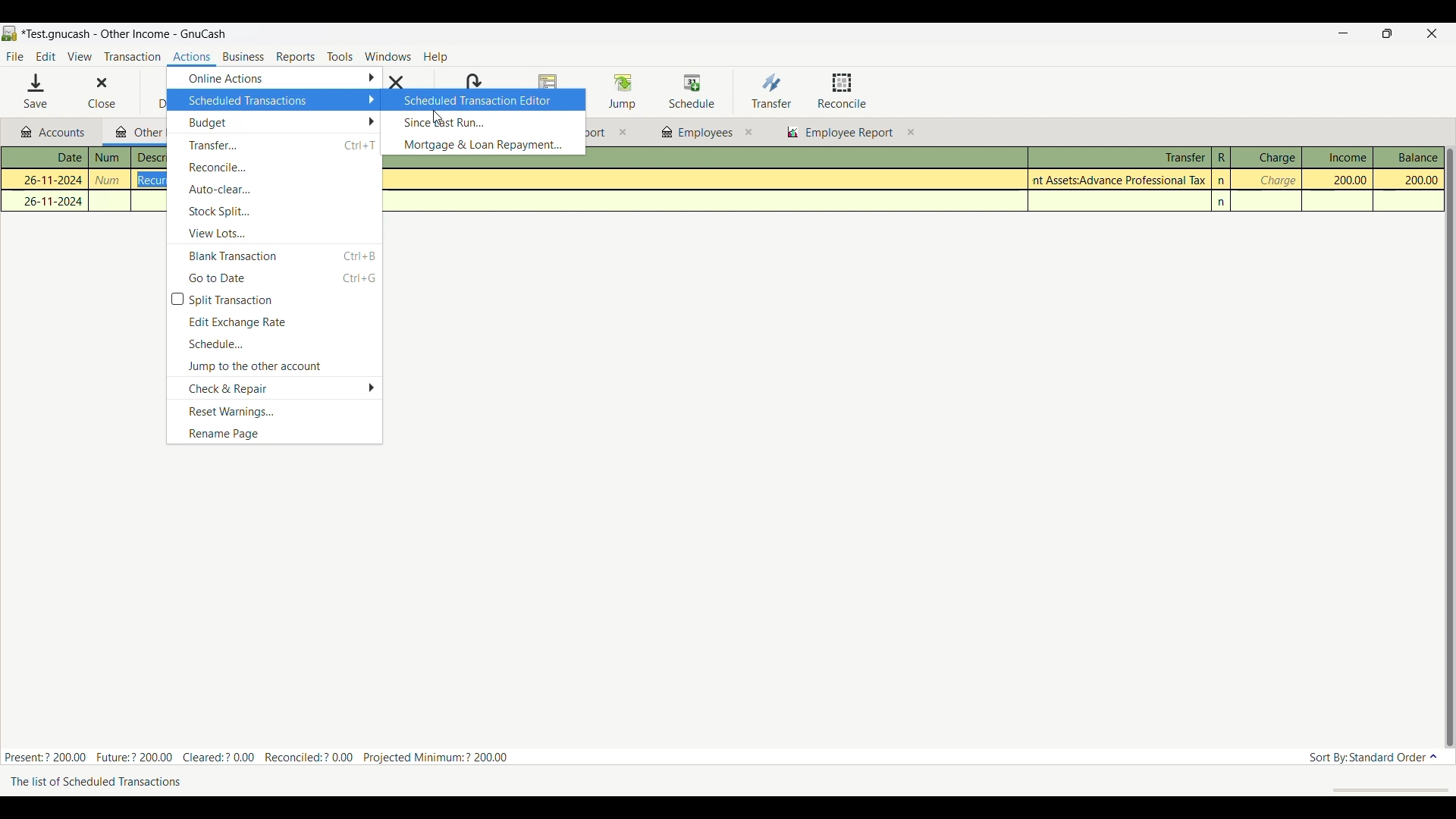 Image resolution: width=1456 pixels, height=819 pixels. Describe the element at coordinates (275, 189) in the screenshot. I see `Auto clear` at that location.